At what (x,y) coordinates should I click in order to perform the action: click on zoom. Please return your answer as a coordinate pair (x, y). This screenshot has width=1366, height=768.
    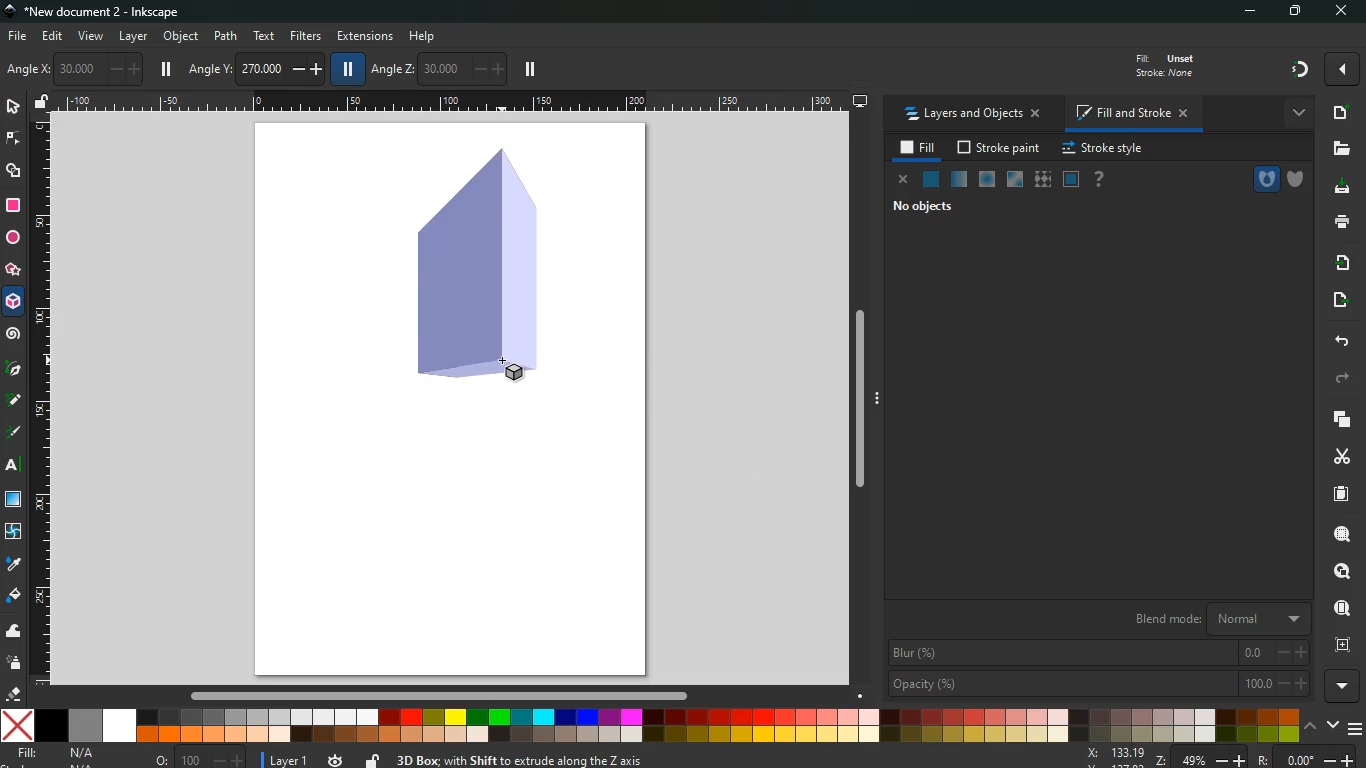
    Looking at the image, I should click on (1221, 758).